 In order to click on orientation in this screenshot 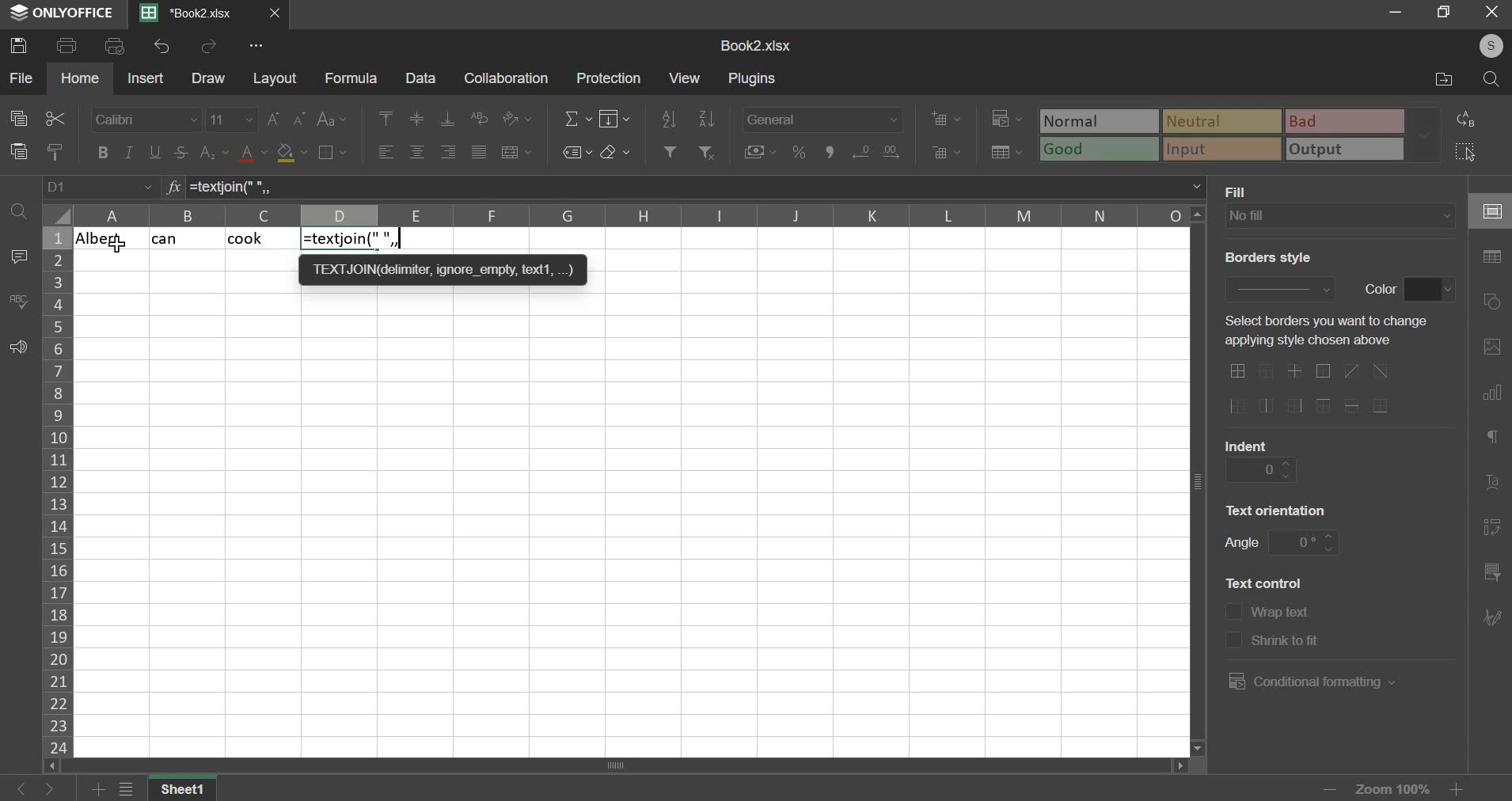, I will do `click(517, 118)`.